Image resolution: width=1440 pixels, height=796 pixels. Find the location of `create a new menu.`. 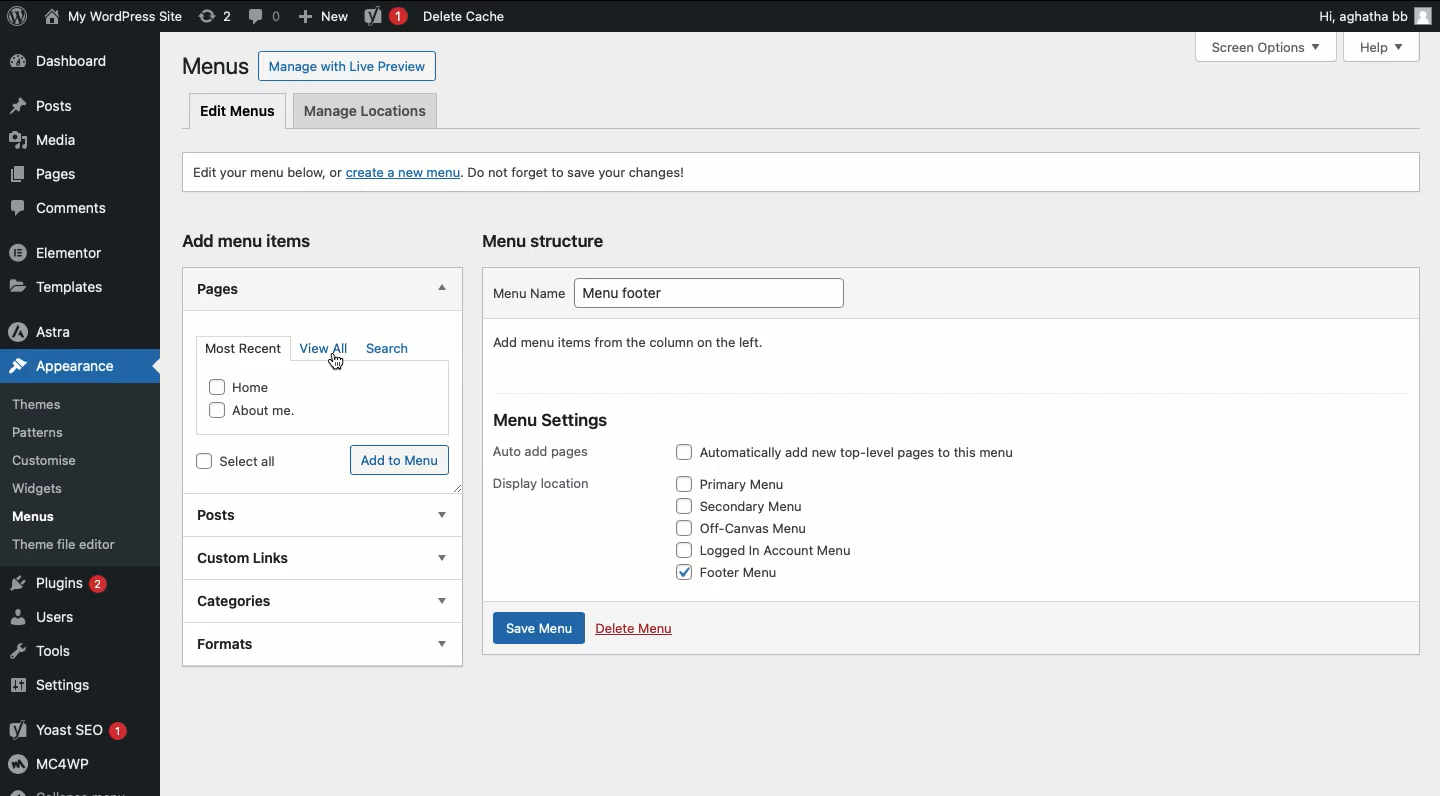

create a new menu. is located at coordinates (404, 174).